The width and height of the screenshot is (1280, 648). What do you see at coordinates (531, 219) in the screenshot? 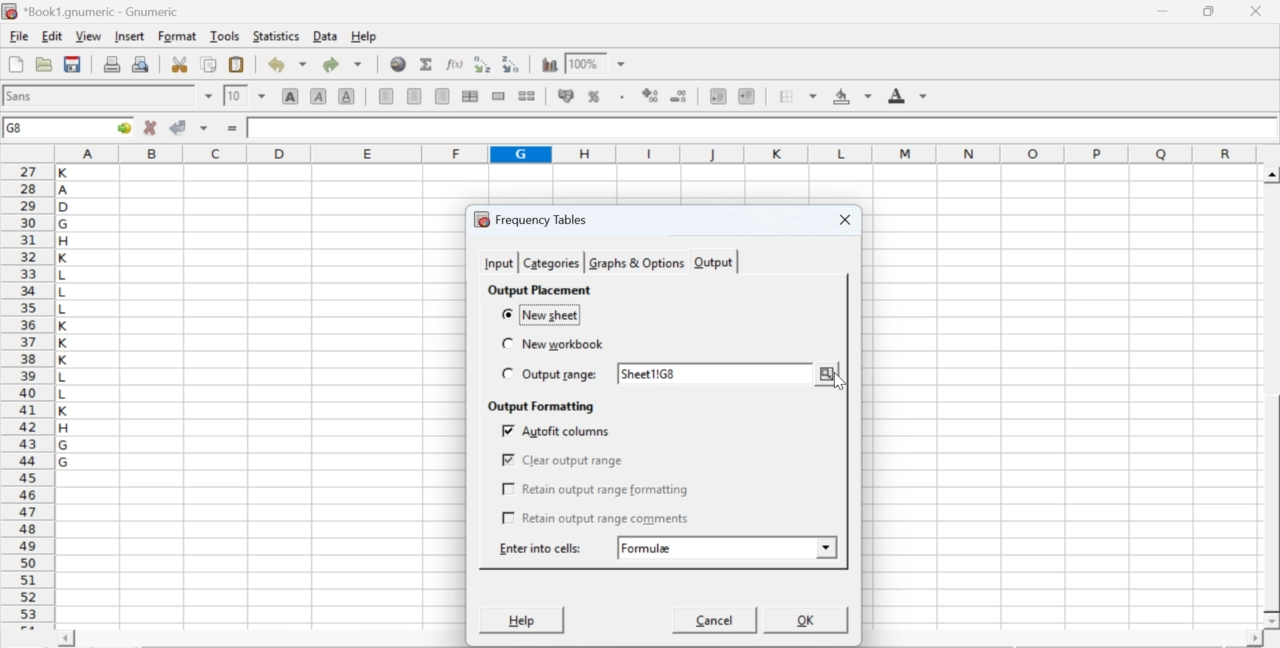
I see `frequency tables` at bounding box center [531, 219].